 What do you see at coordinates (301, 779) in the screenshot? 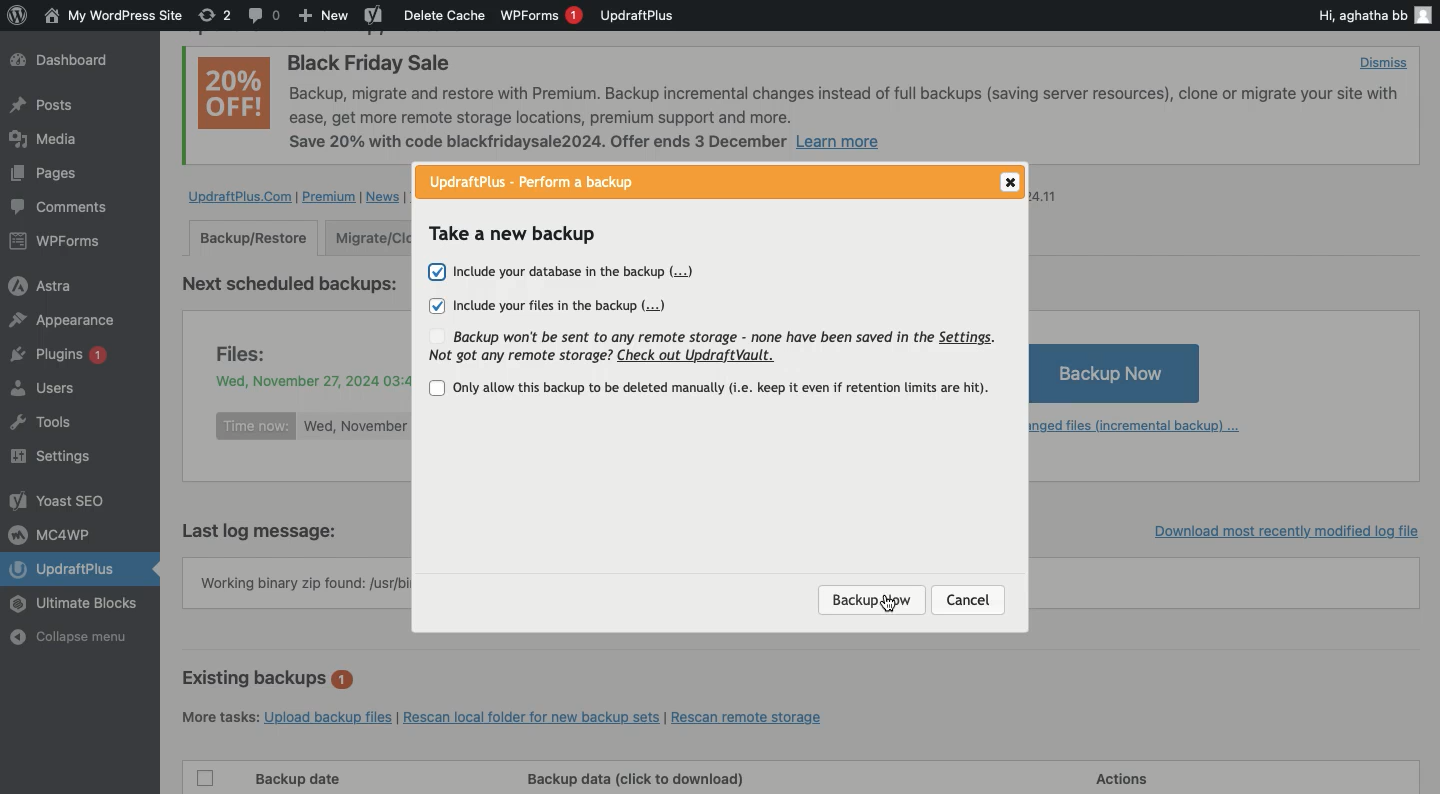
I see `Backup date` at bounding box center [301, 779].